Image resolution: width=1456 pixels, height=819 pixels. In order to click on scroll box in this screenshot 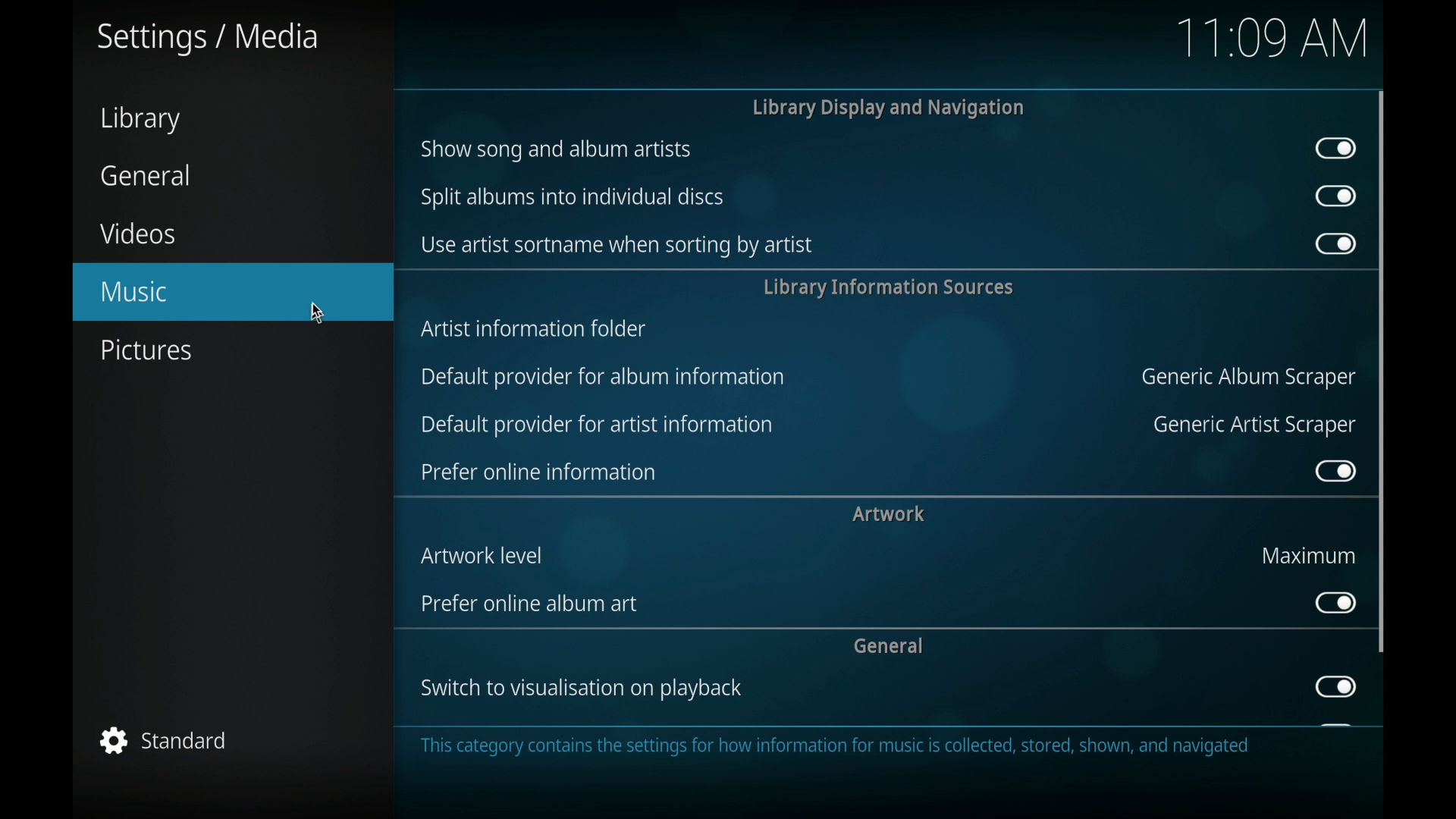, I will do `click(1382, 371)`.